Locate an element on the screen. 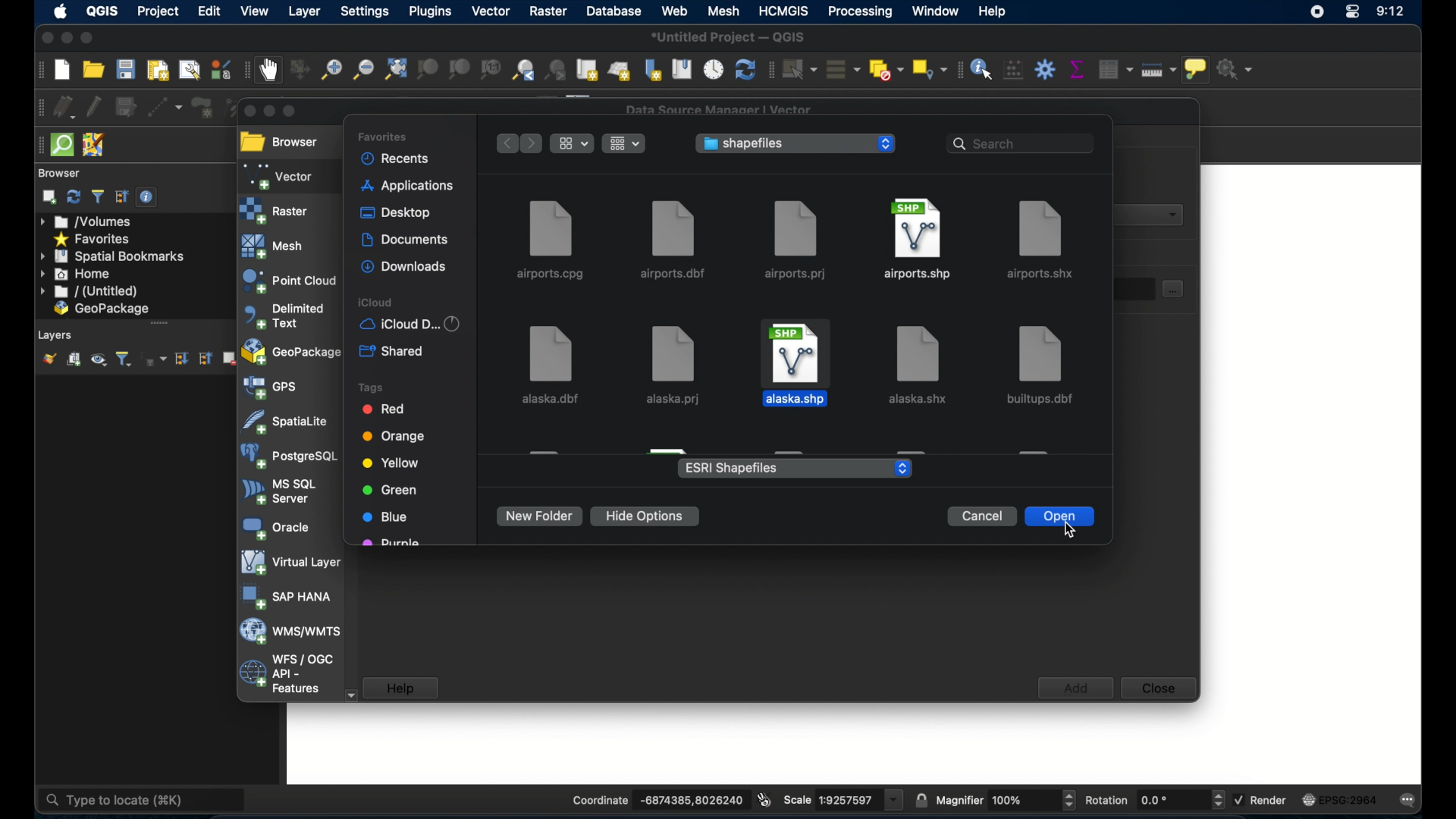 Image resolution: width=1456 pixels, height=819 pixels. deselect features is located at coordinates (886, 67).